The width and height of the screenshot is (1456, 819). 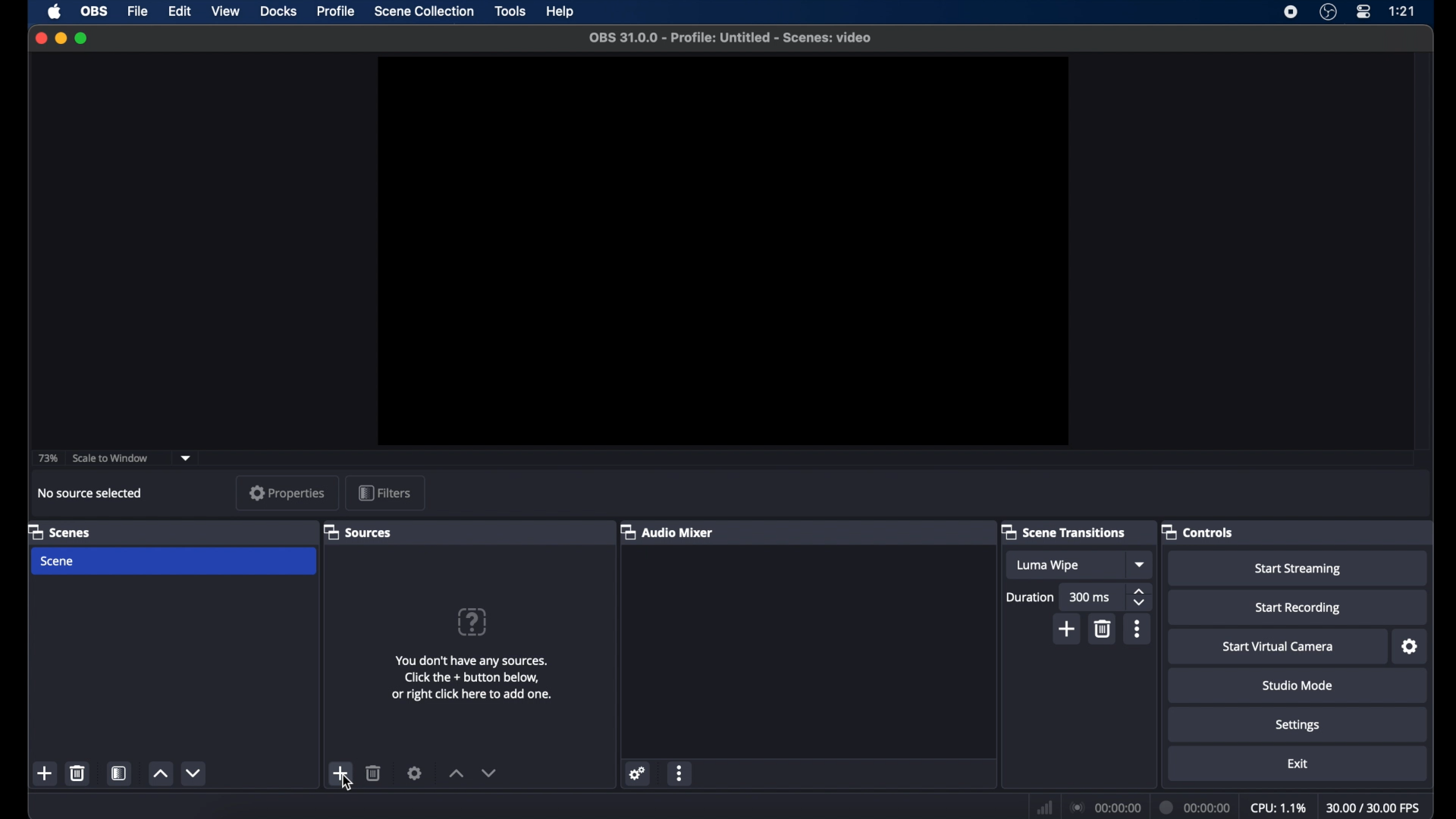 I want to click on cpu, so click(x=1278, y=807).